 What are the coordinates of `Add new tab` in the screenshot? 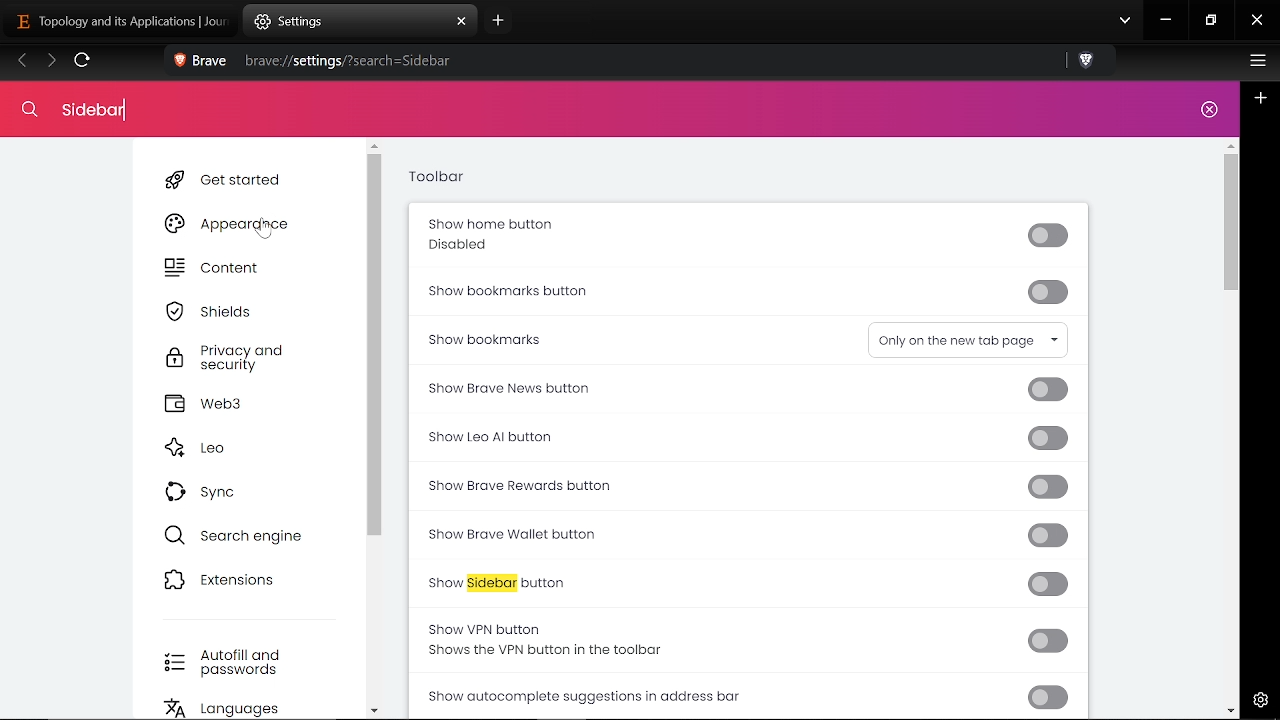 It's located at (496, 24).